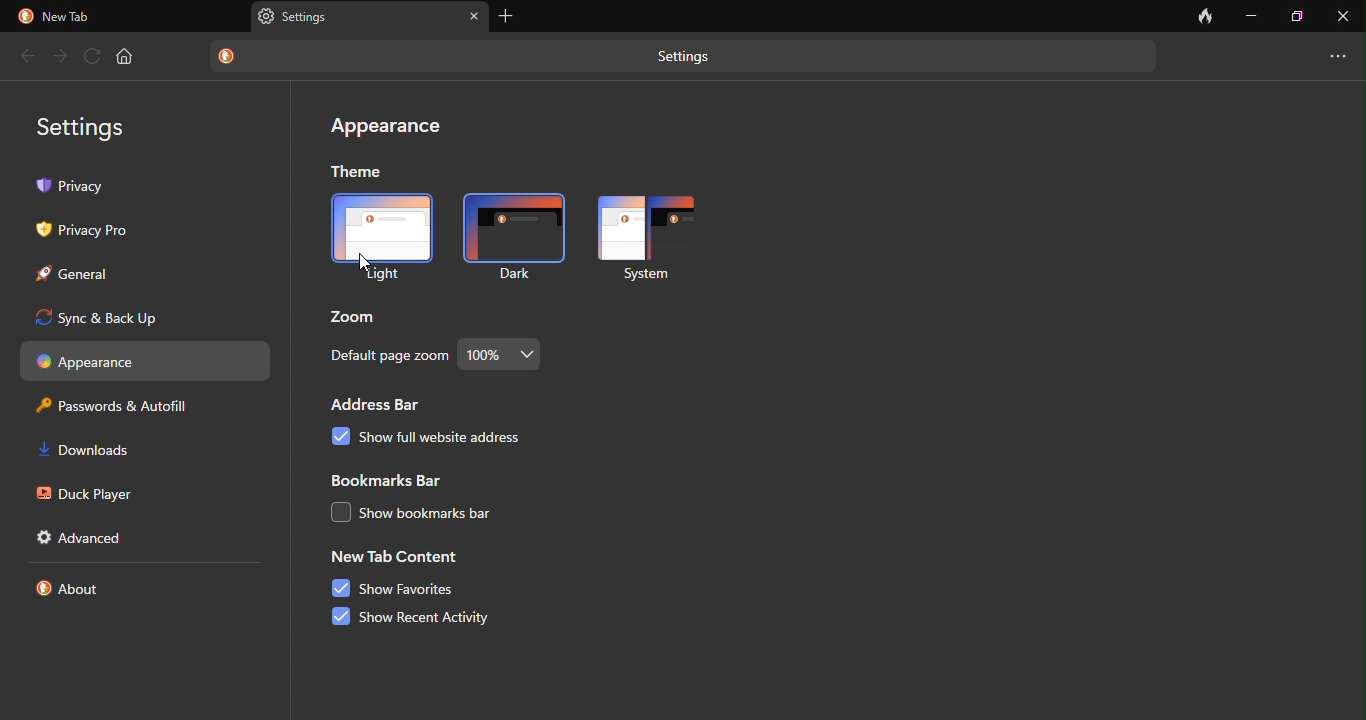  What do you see at coordinates (690, 58) in the screenshot?
I see `settings` at bounding box center [690, 58].